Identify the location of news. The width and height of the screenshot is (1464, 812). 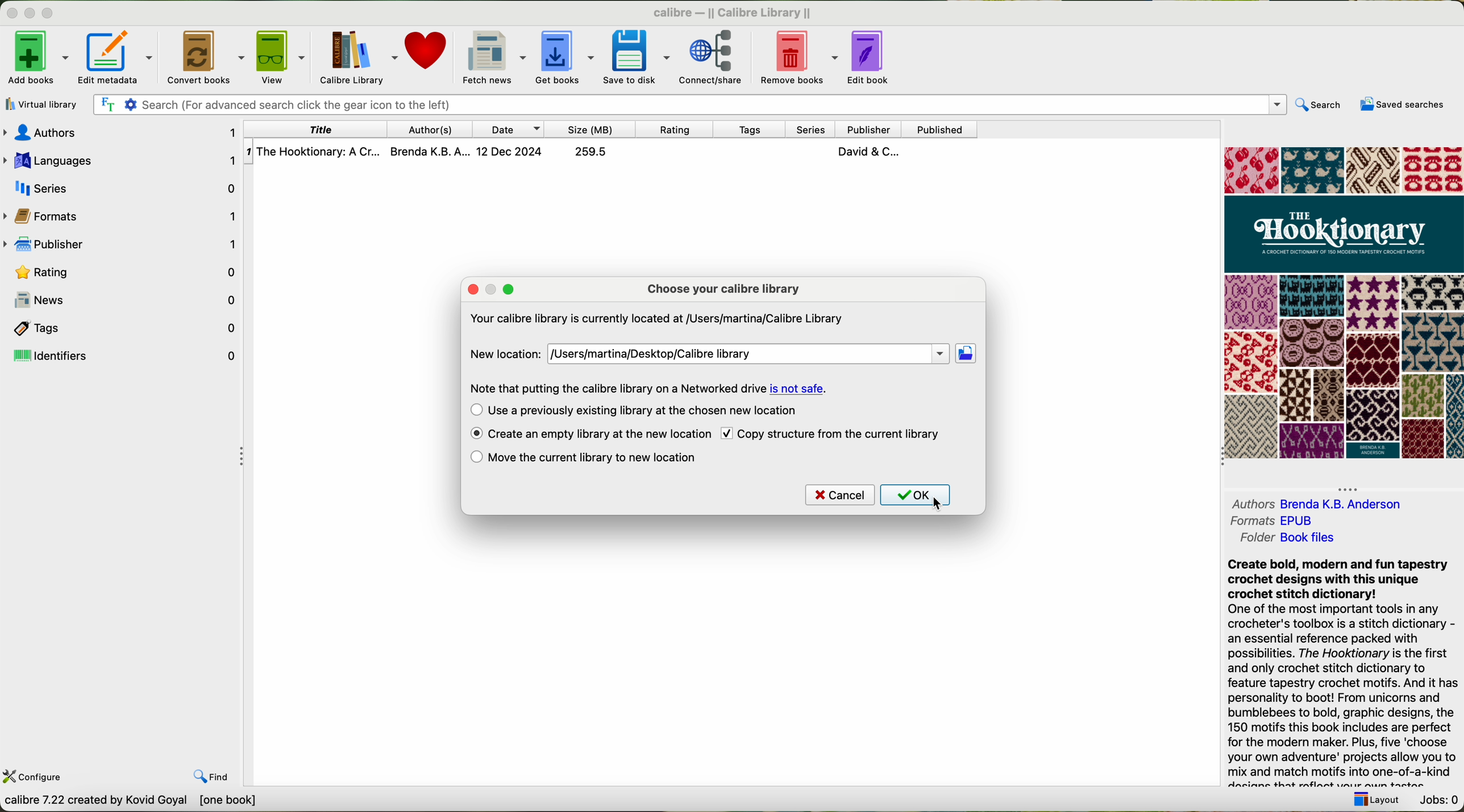
(132, 300).